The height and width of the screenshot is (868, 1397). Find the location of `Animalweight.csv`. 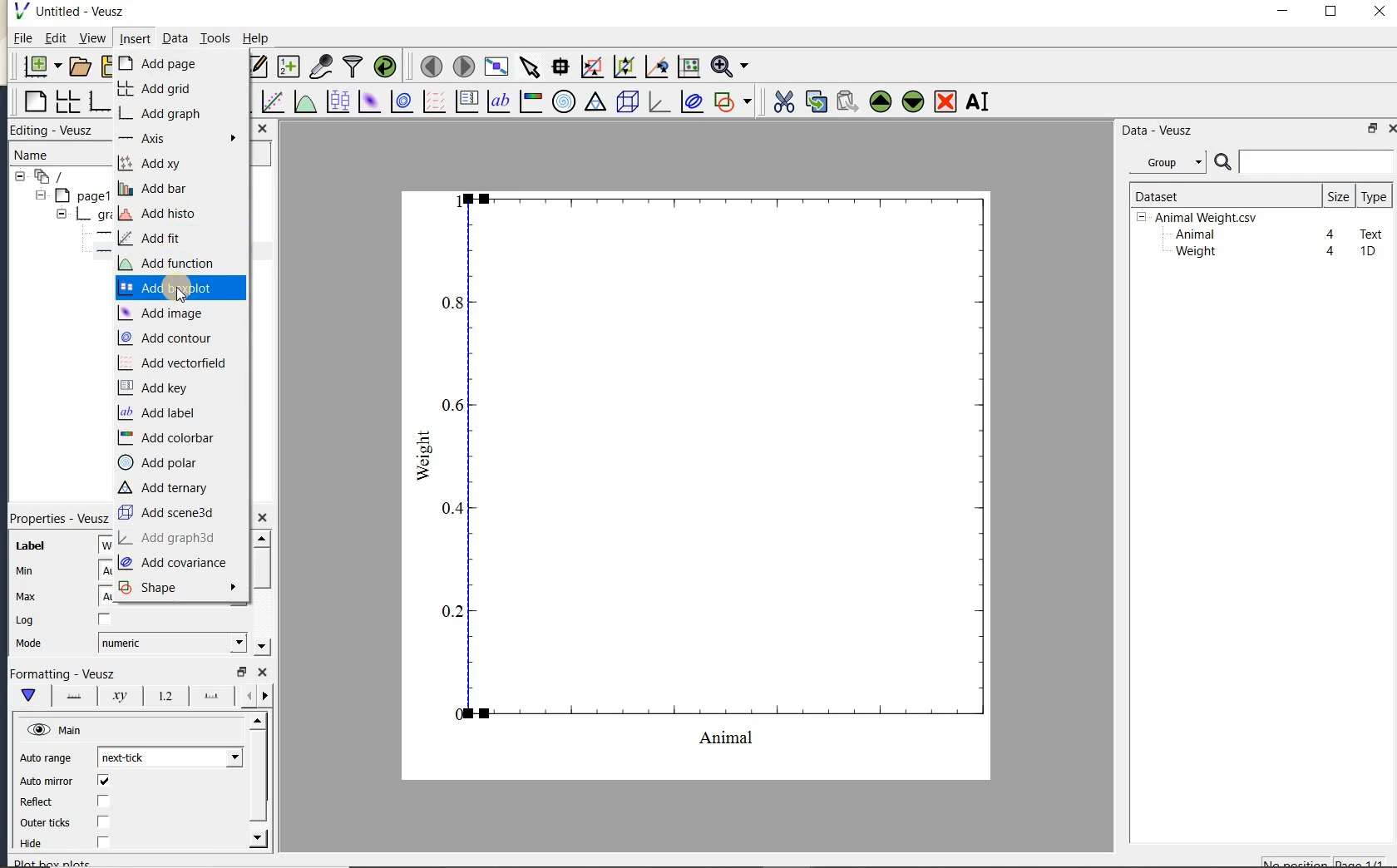

Animalweight.csv is located at coordinates (1201, 218).